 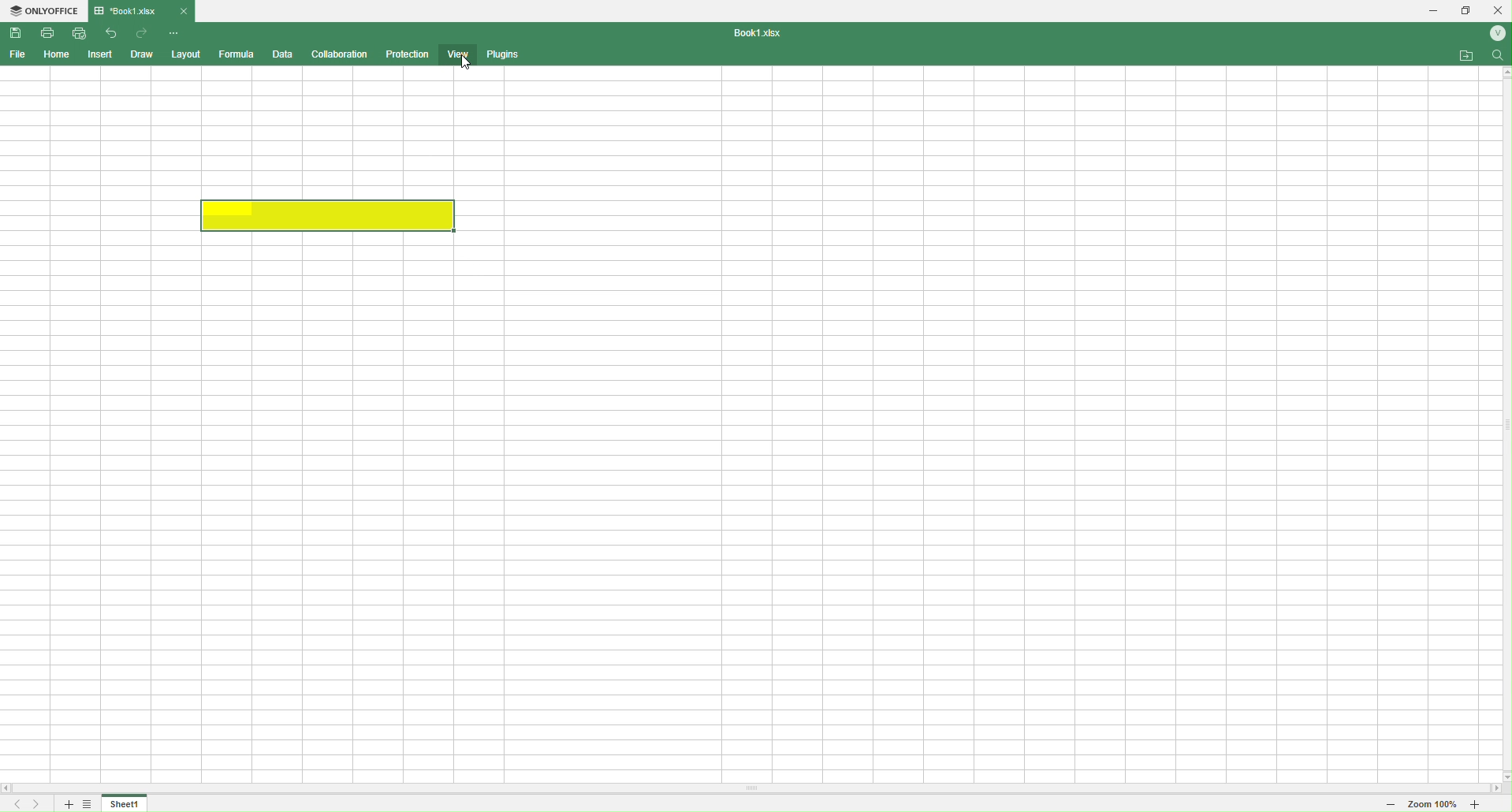 What do you see at coordinates (80, 32) in the screenshot?
I see `Quick print` at bounding box center [80, 32].